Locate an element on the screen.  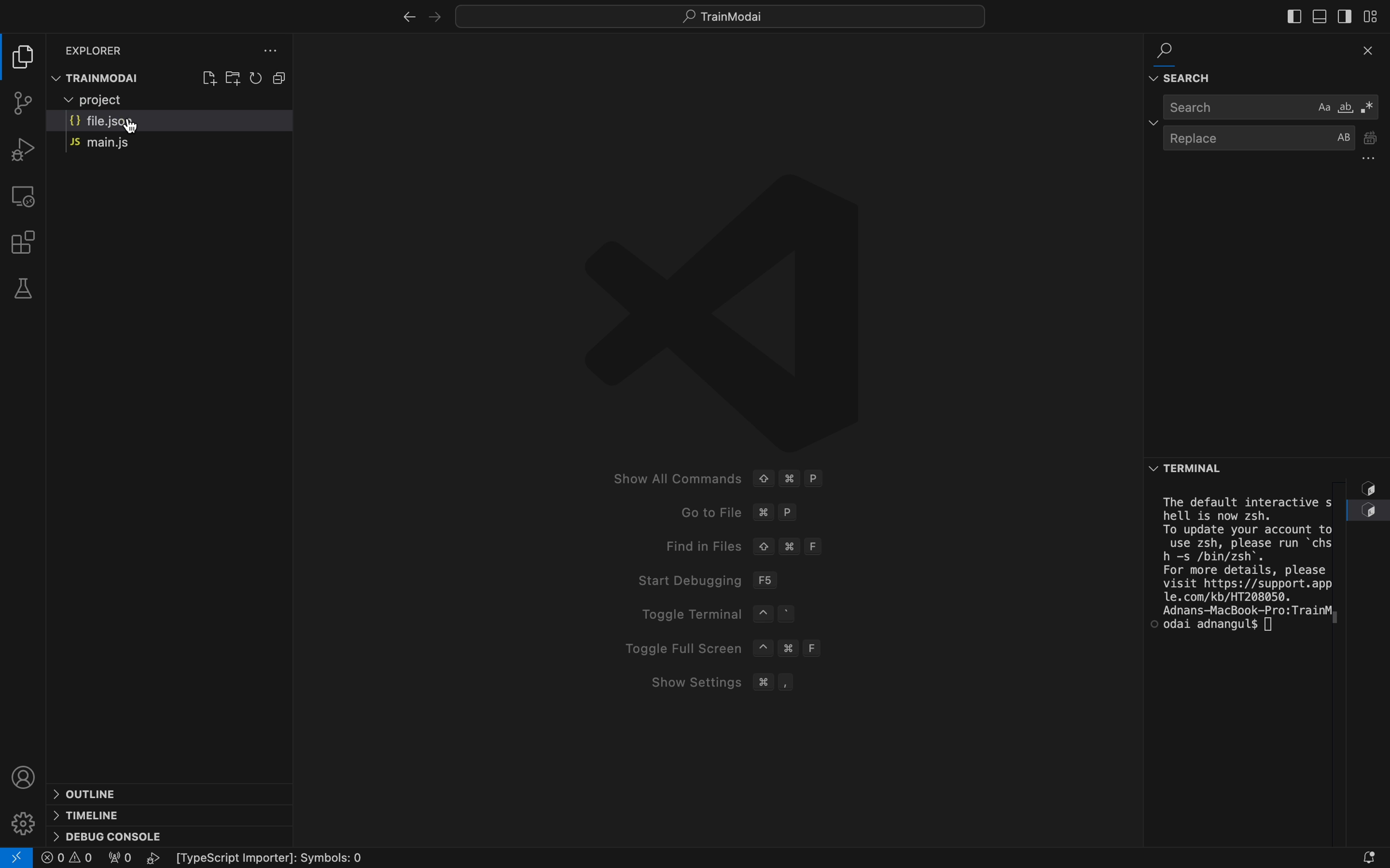
debug tool is located at coordinates (21, 149).